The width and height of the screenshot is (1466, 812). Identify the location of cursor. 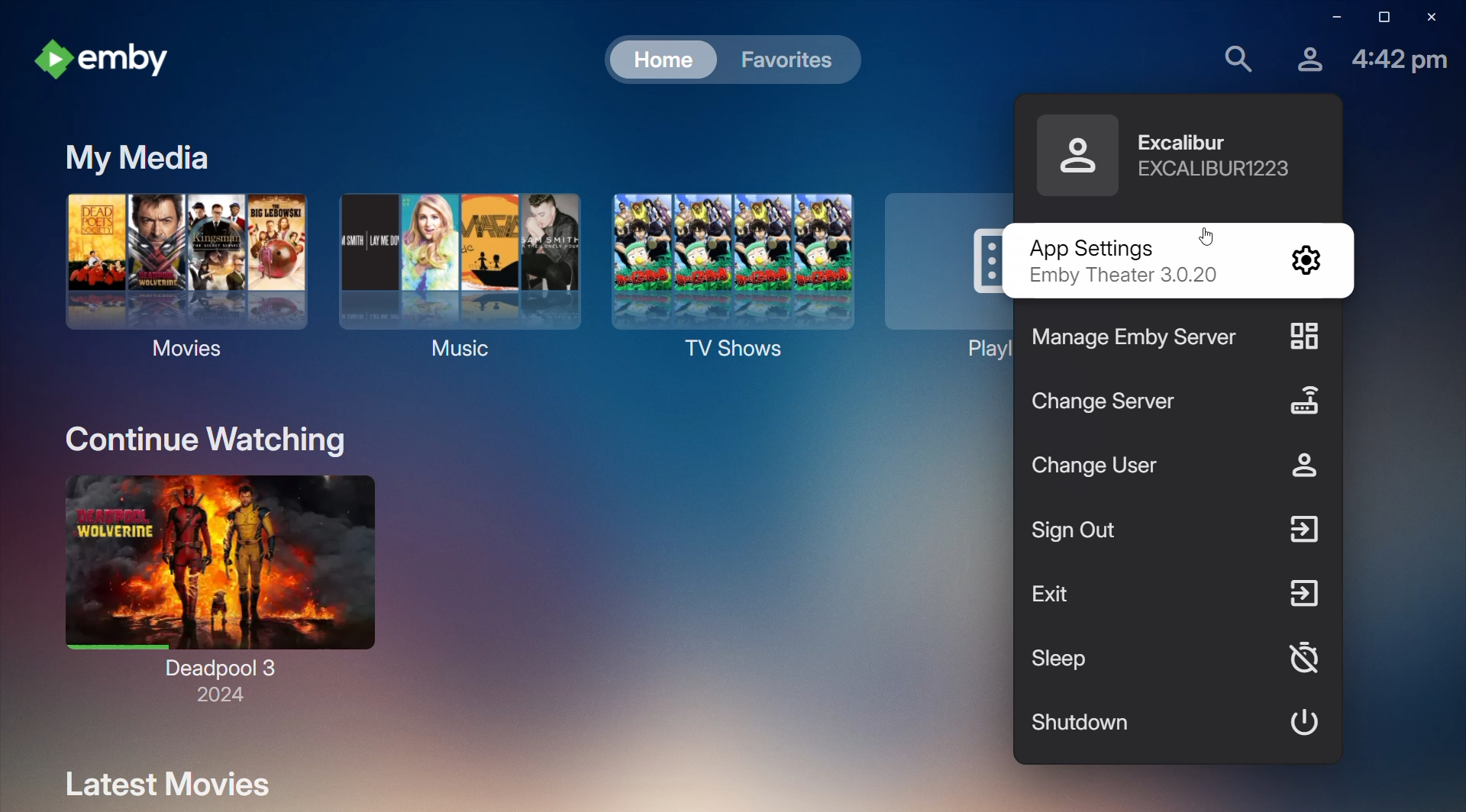
(1200, 233).